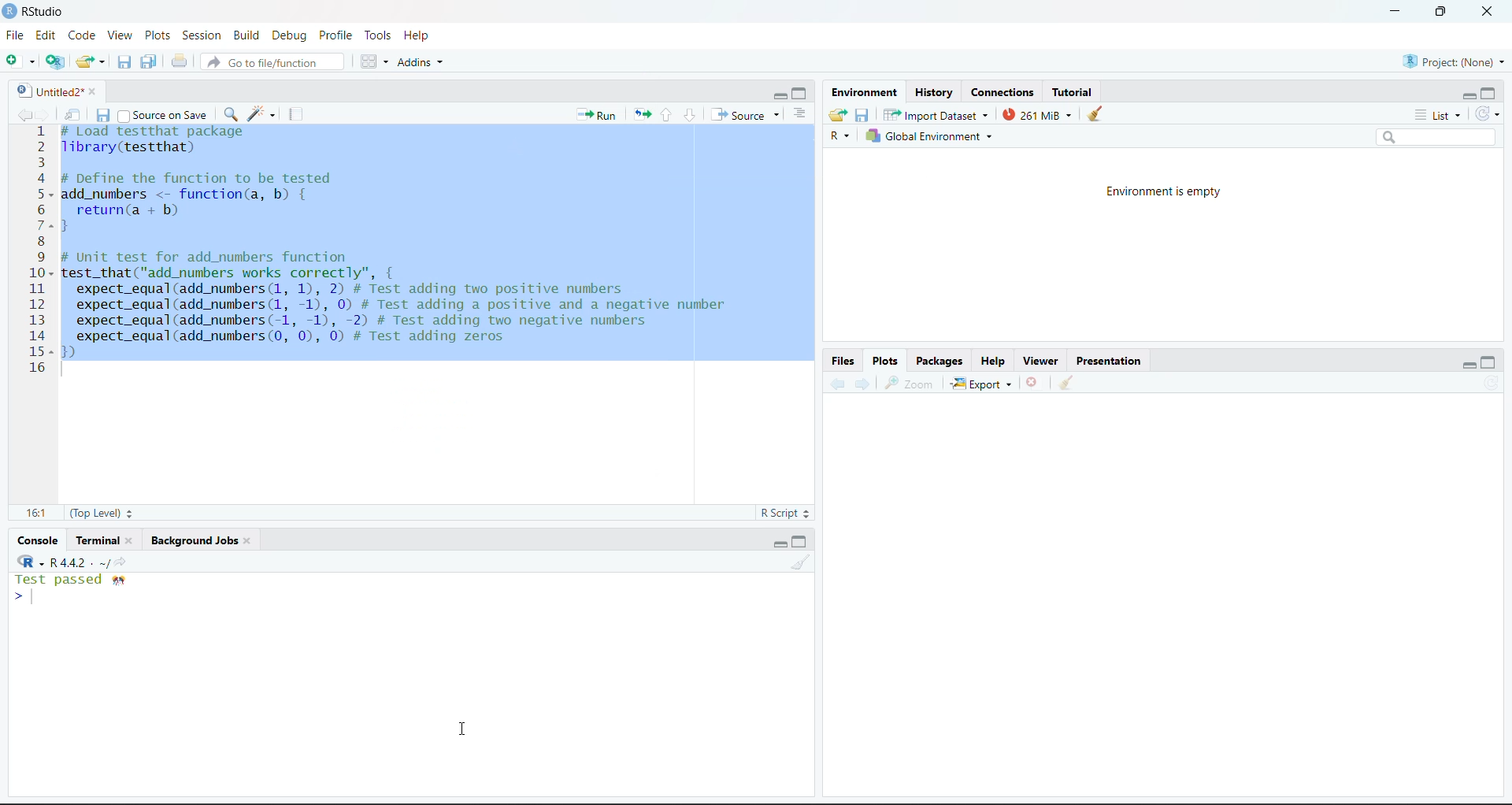  Describe the element at coordinates (157, 35) in the screenshot. I see `Plots` at that location.